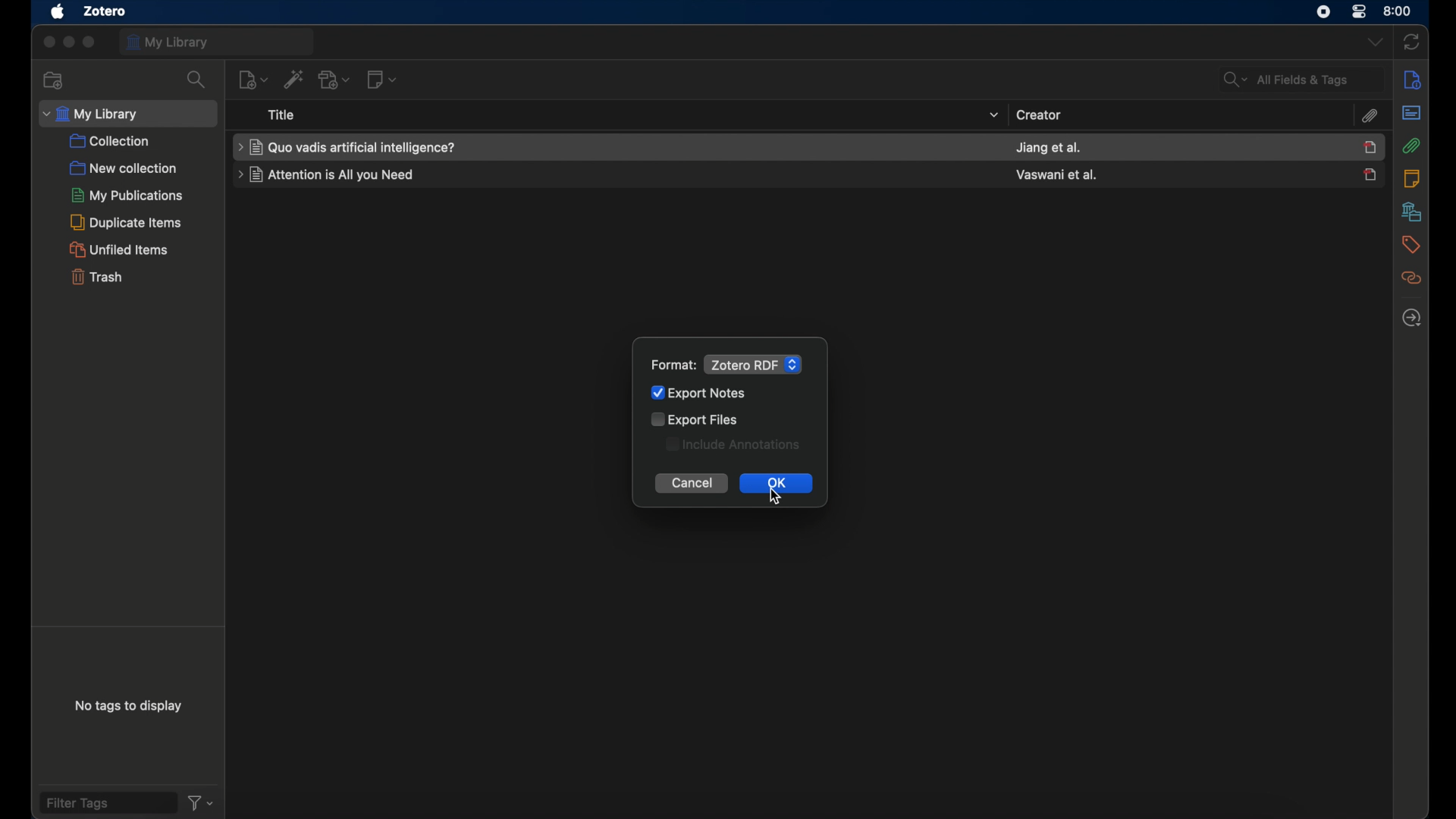  I want to click on maximize, so click(90, 42).